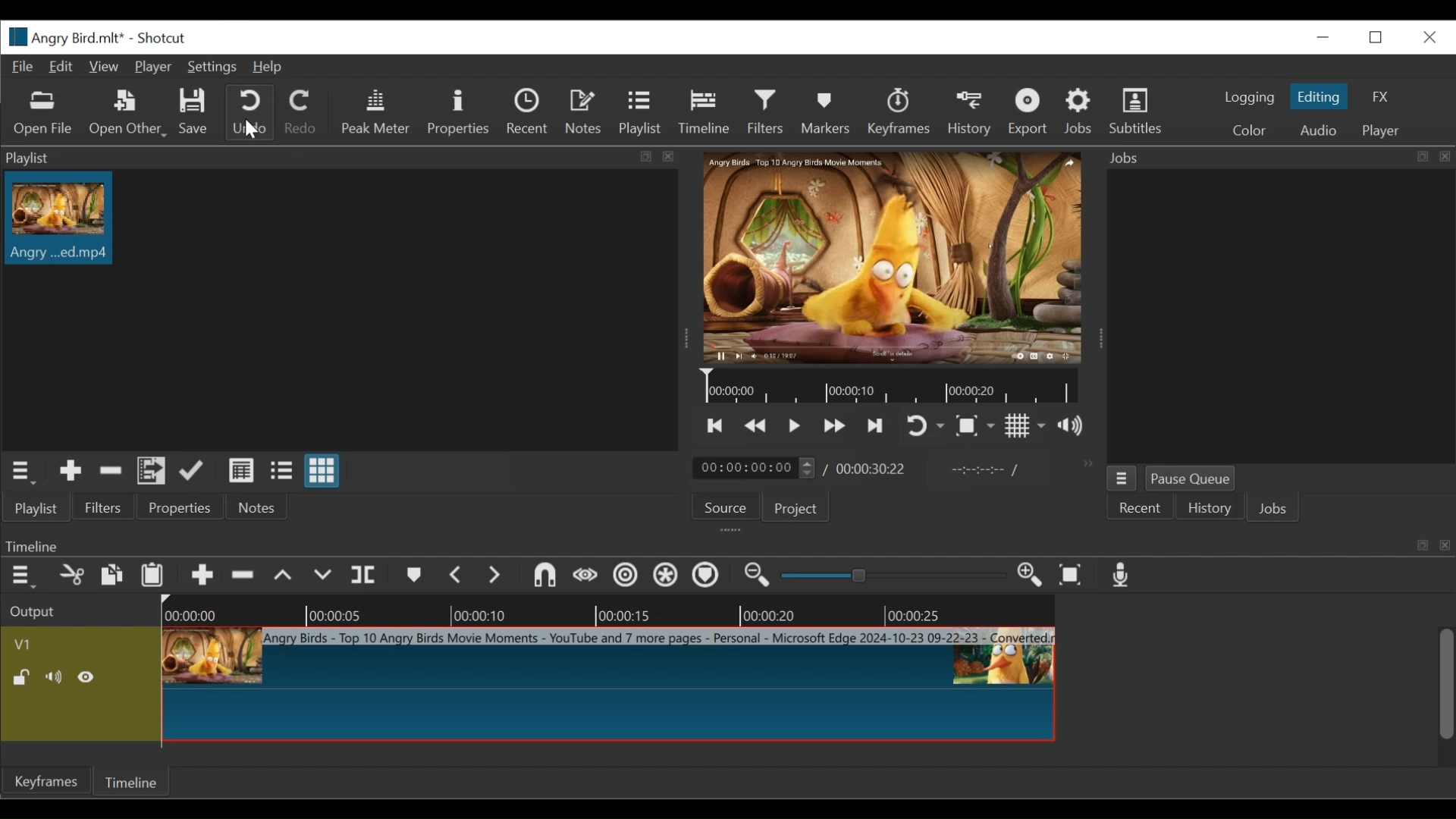 The image size is (1456, 819). Describe the element at coordinates (1193, 479) in the screenshot. I see `Pause Queue` at that location.